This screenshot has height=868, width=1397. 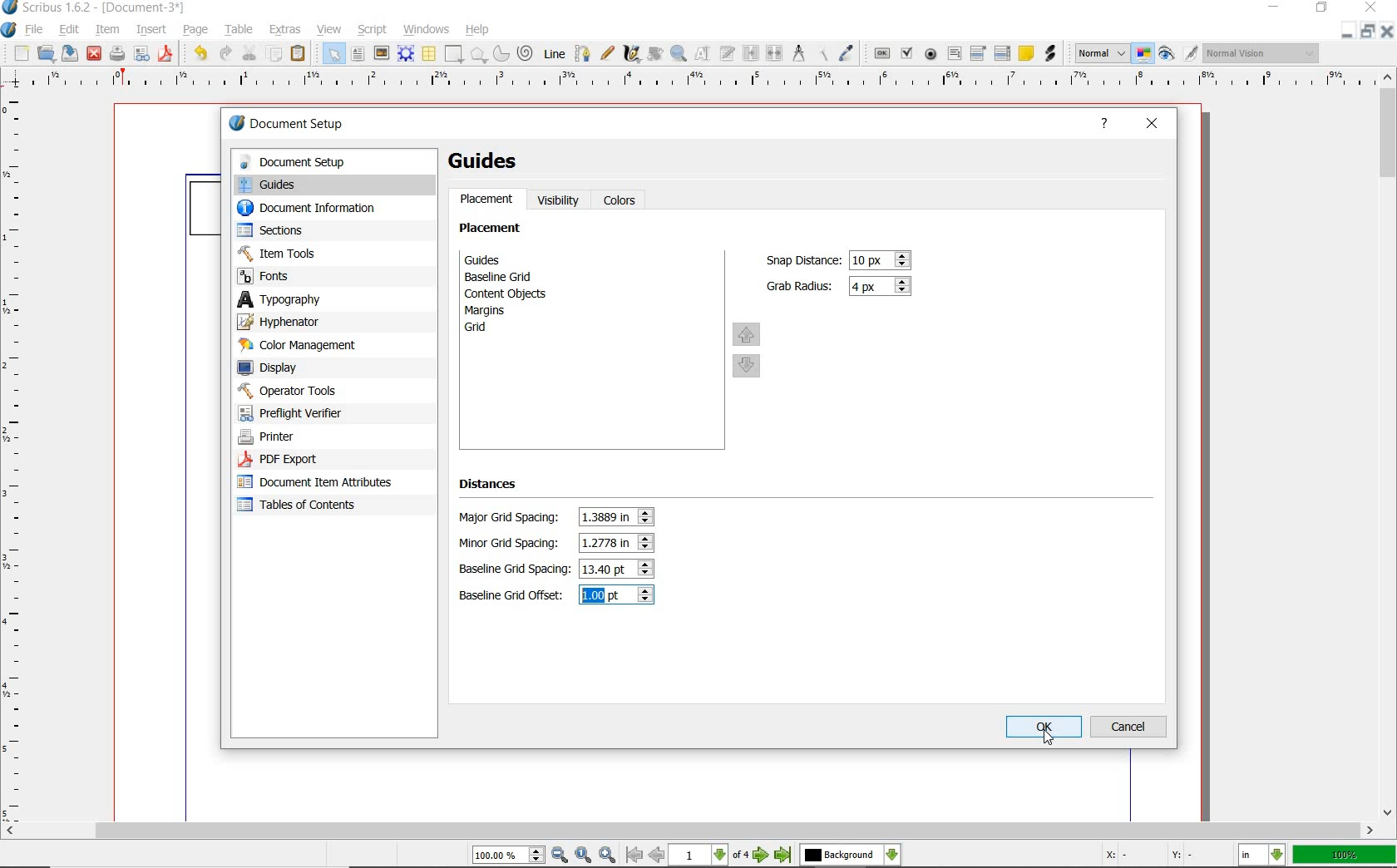 I want to click on pdf push button, so click(x=881, y=52).